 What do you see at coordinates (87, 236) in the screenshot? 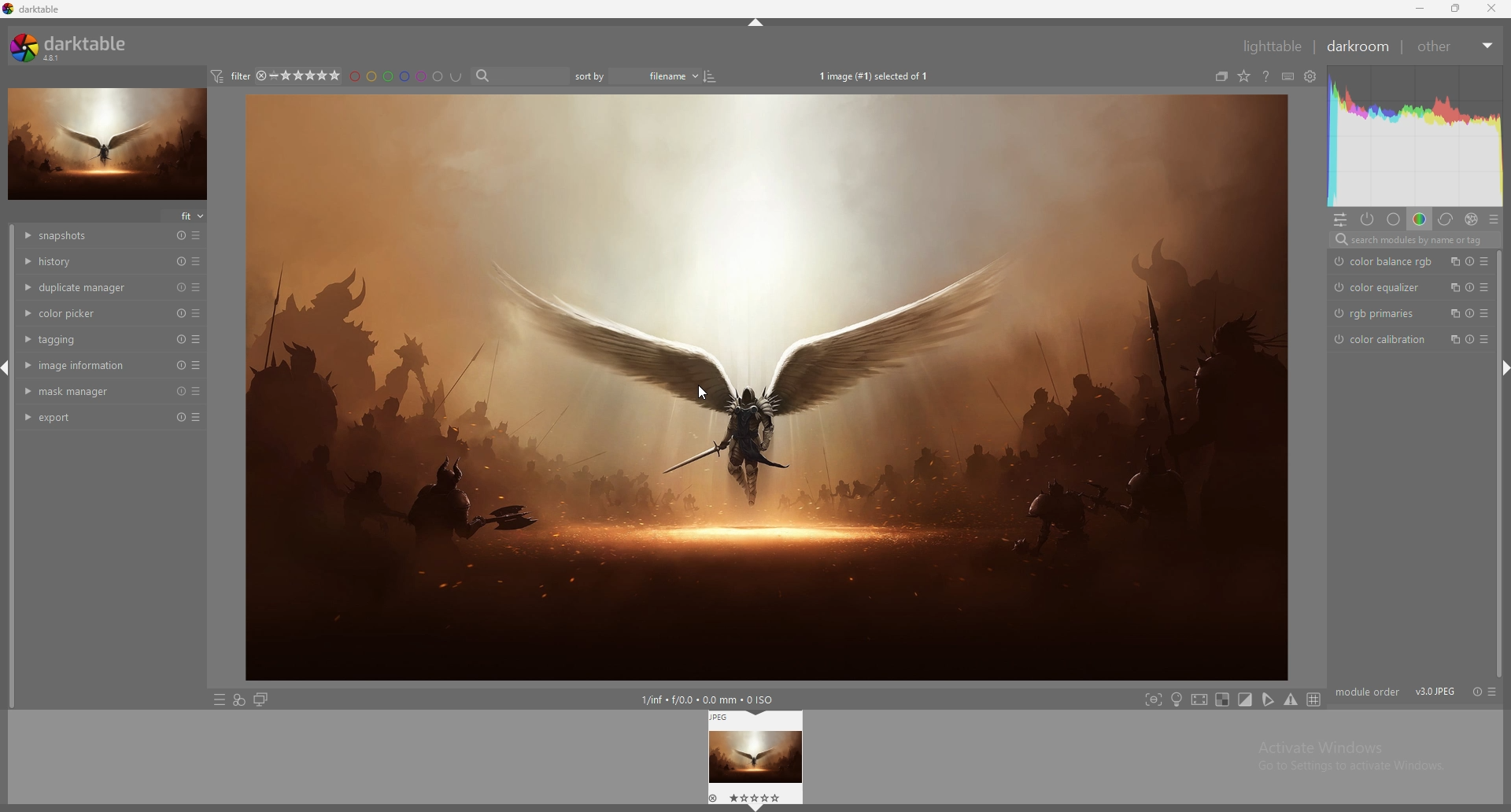
I see `snapshots` at bounding box center [87, 236].